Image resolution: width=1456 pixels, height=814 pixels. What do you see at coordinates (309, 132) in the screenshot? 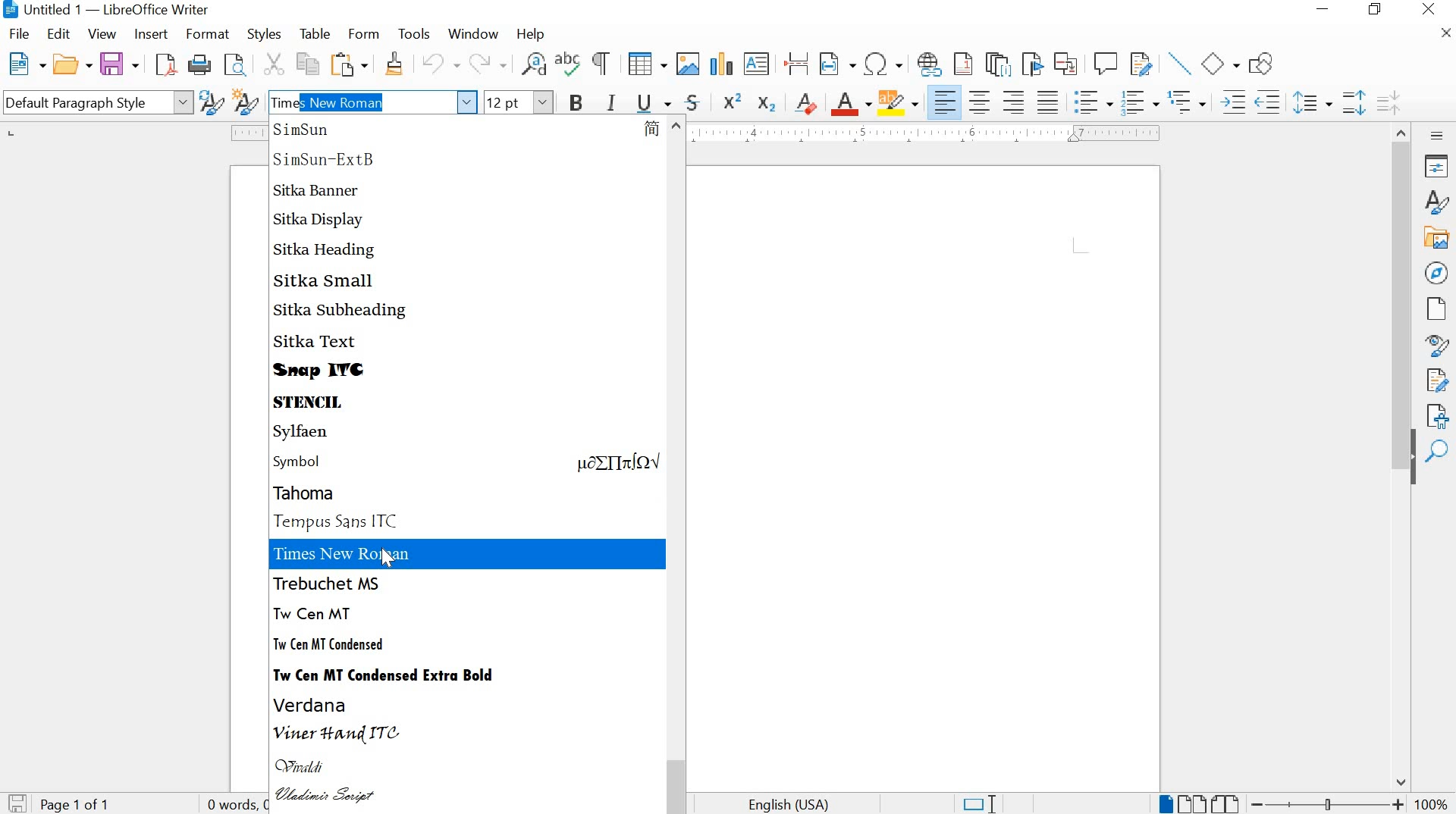
I see `SIMSUN` at bounding box center [309, 132].